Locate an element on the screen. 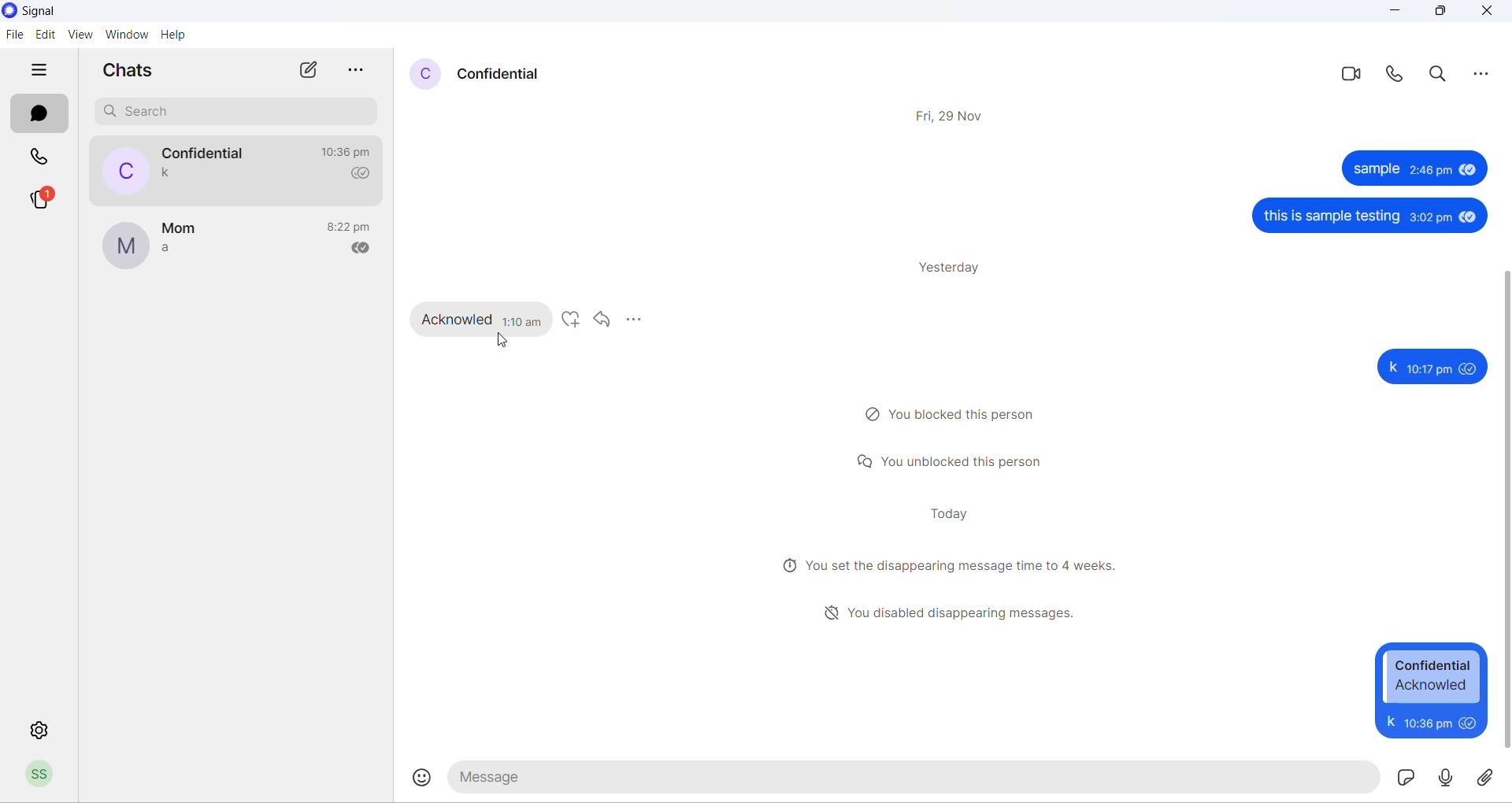  2: 46 pm is located at coordinates (1432, 170).